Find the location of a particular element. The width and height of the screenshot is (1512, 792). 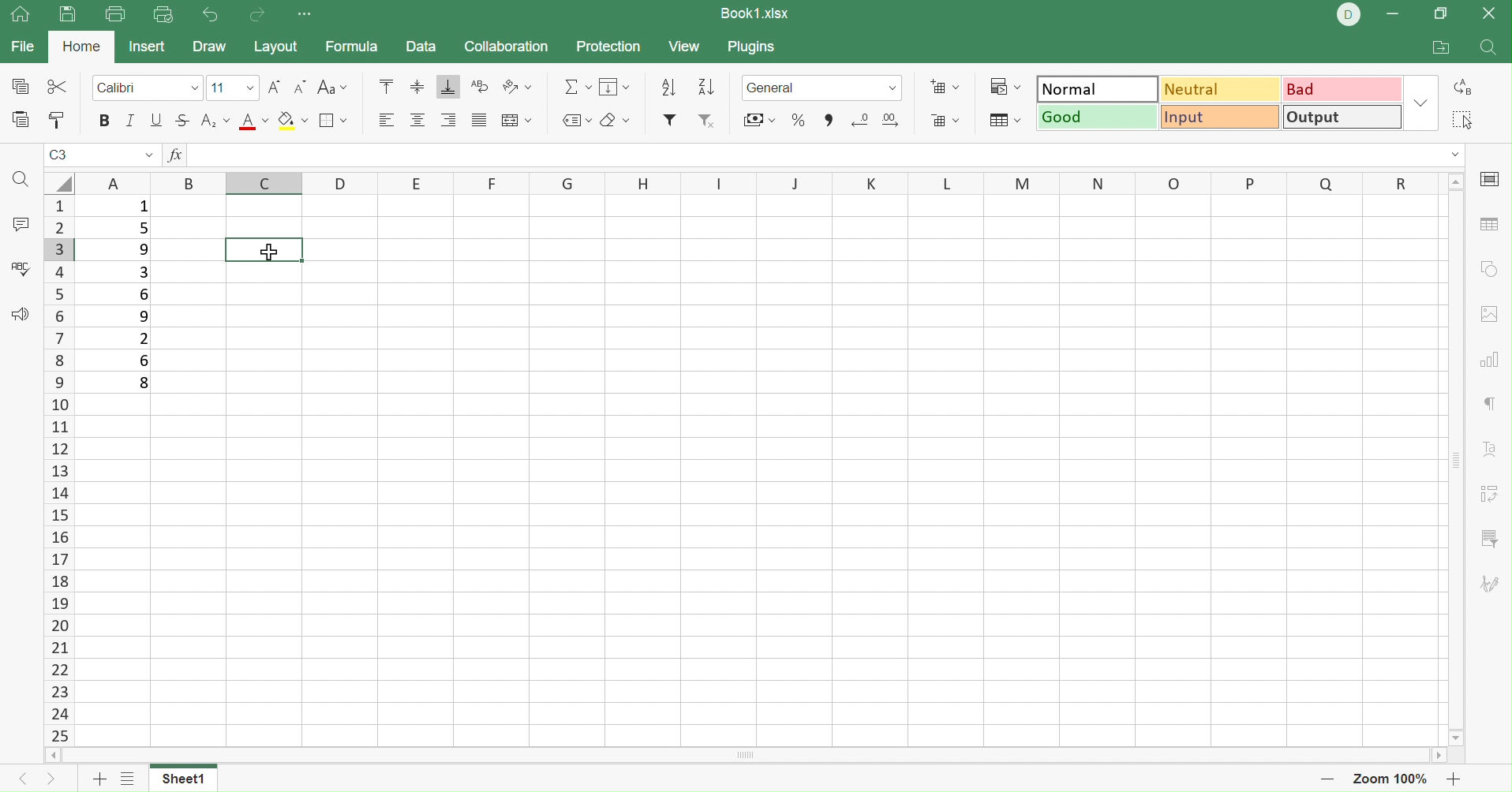

Copy is located at coordinates (19, 85).